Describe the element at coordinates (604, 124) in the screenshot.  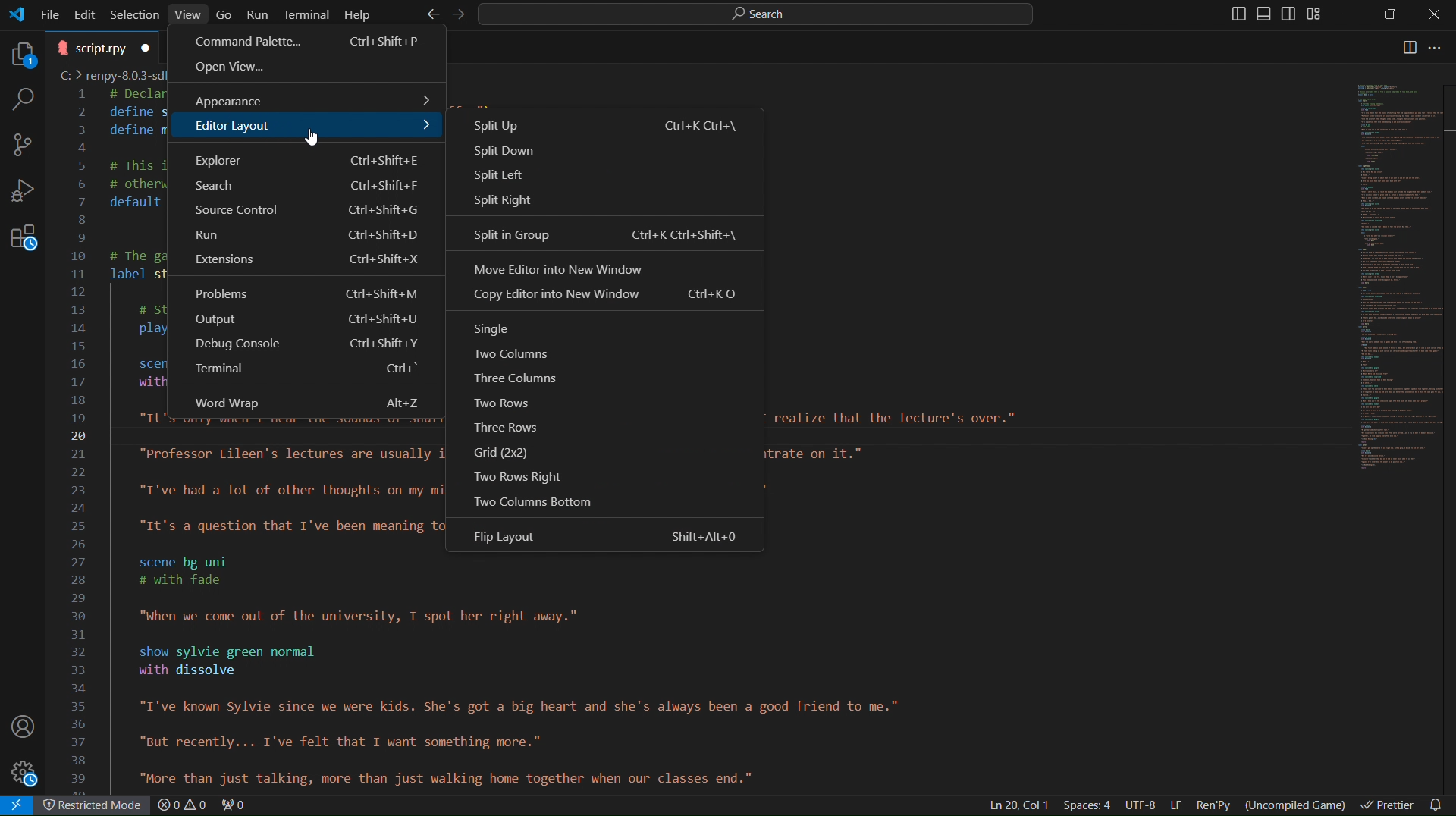
I see `Split Up   ctrl+K ctrl+\` at that location.